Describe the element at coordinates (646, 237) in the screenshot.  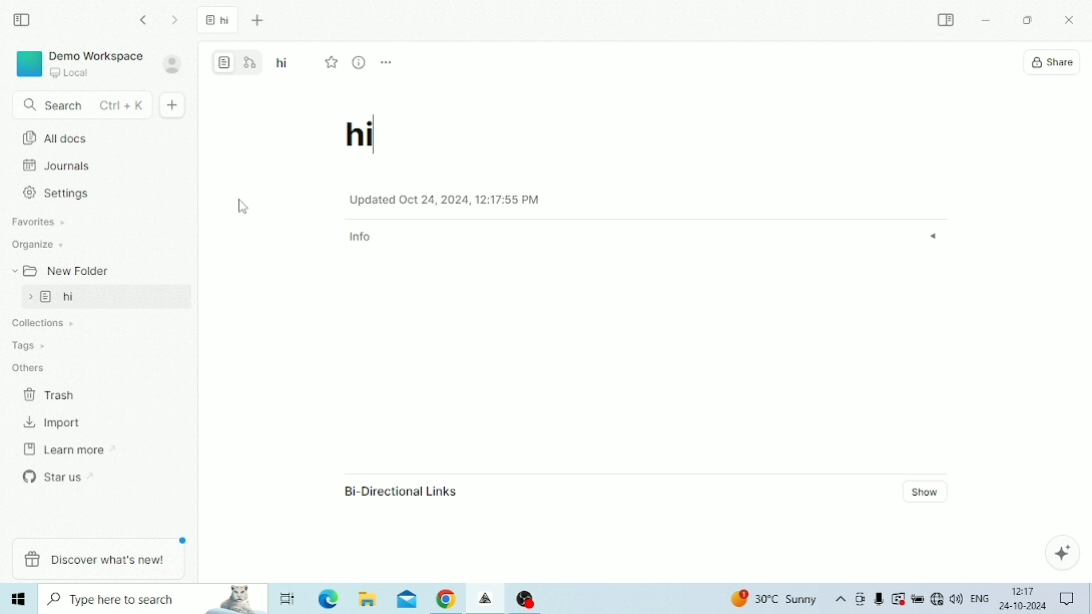
I see `Info` at that location.